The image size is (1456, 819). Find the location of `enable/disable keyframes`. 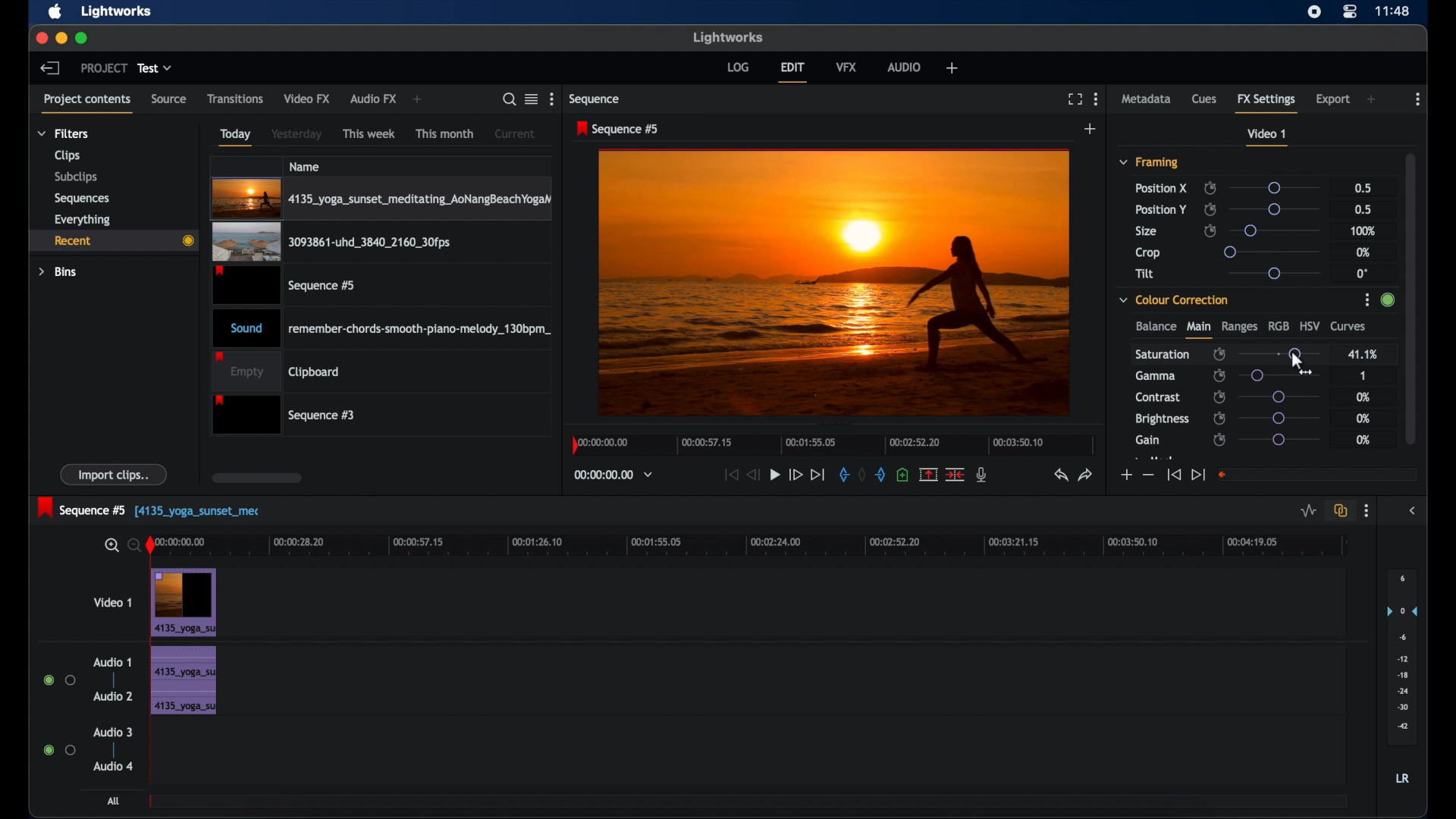

enable/disable keyframes is located at coordinates (1210, 188).